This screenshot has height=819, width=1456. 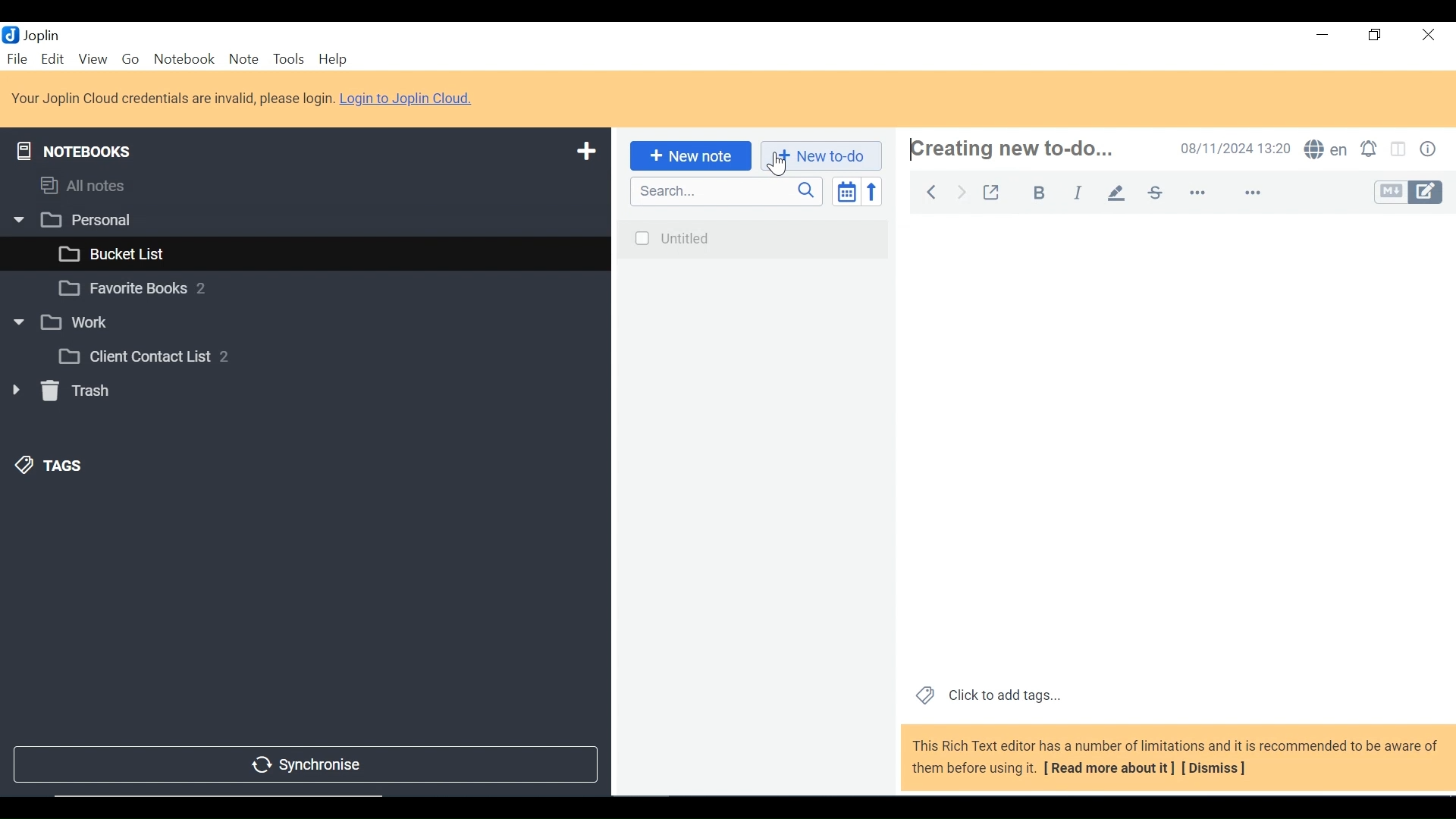 What do you see at coordinates (1426, 37) in the screenshot?
I see `Close` at bounding box center [1426, 37].